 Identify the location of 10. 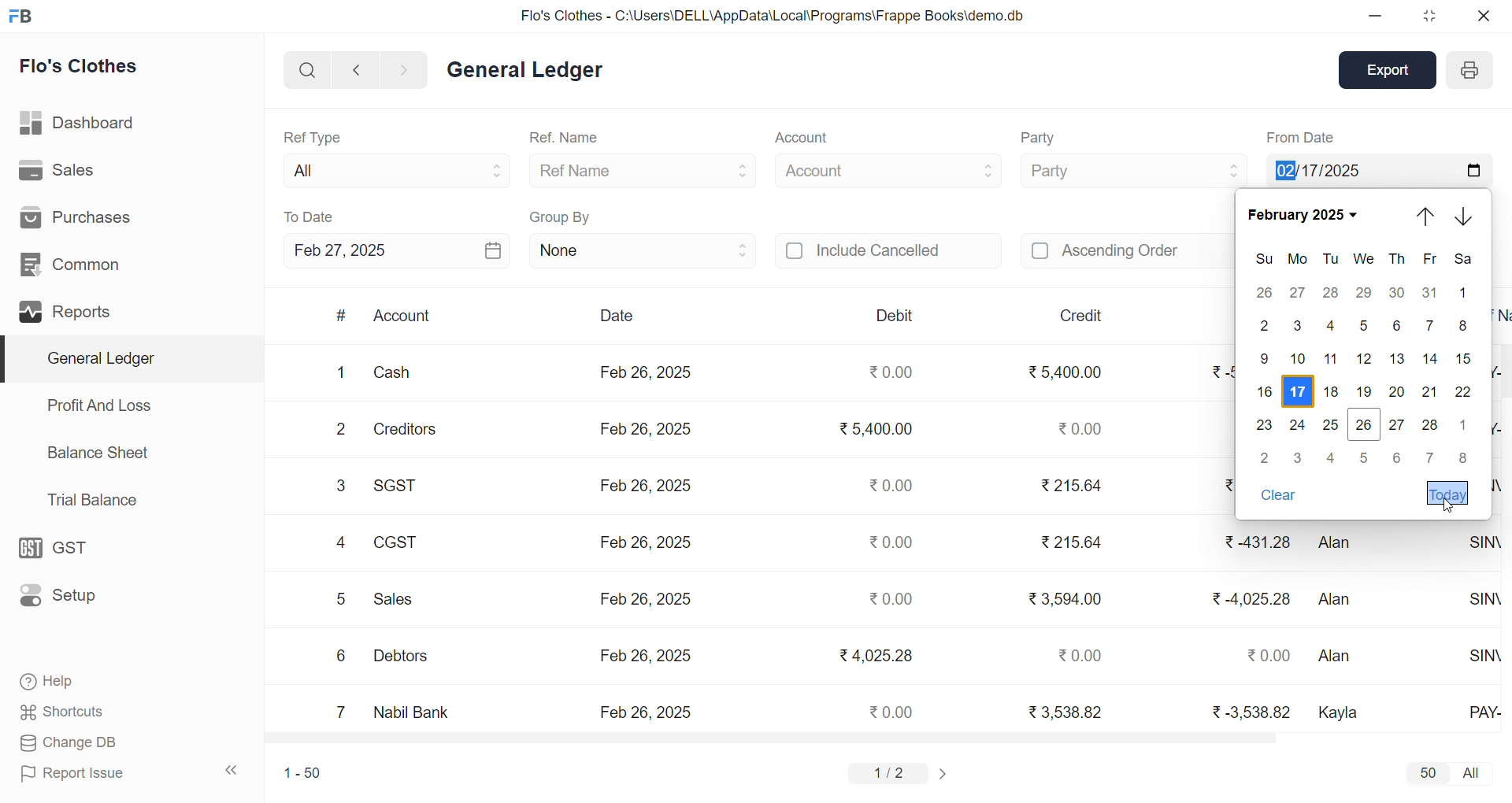
(1296, 360).